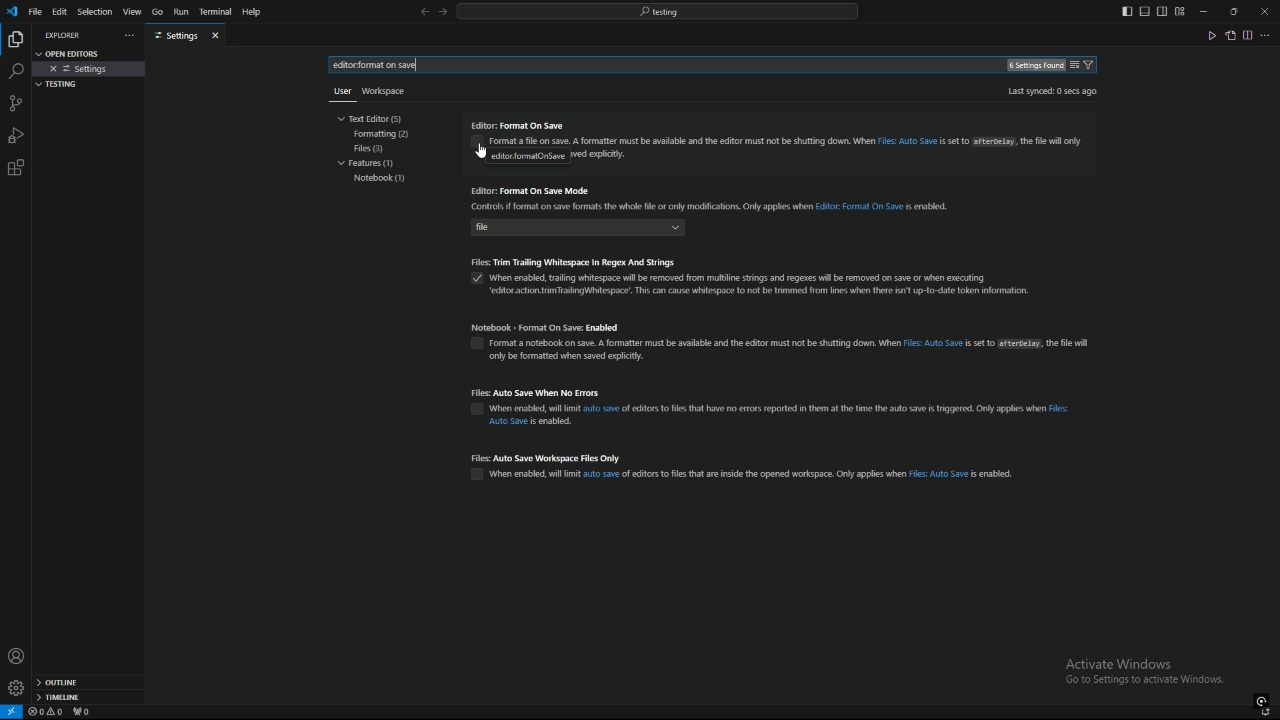 The width and height of the screenshot is (1280, 720). Describe the element at coordinates (1211, 35) in the screenshot. I see `run code` at that location.